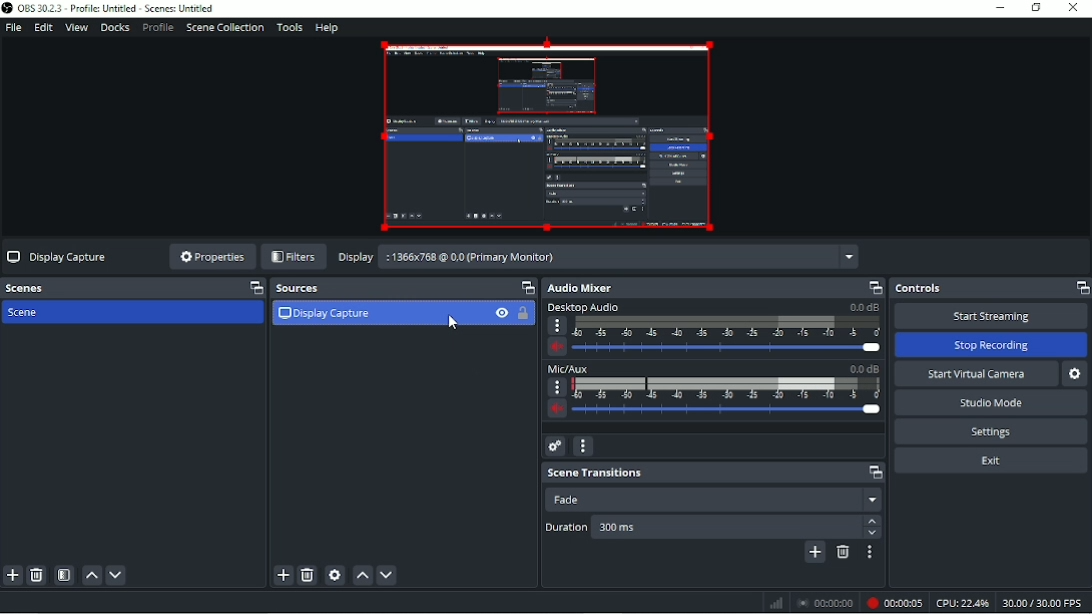 The width and height of the screenshot is (1092, 614). Describe the element at coordinates (826, 602) in the screenshot. I see `Stop recording` at that location.